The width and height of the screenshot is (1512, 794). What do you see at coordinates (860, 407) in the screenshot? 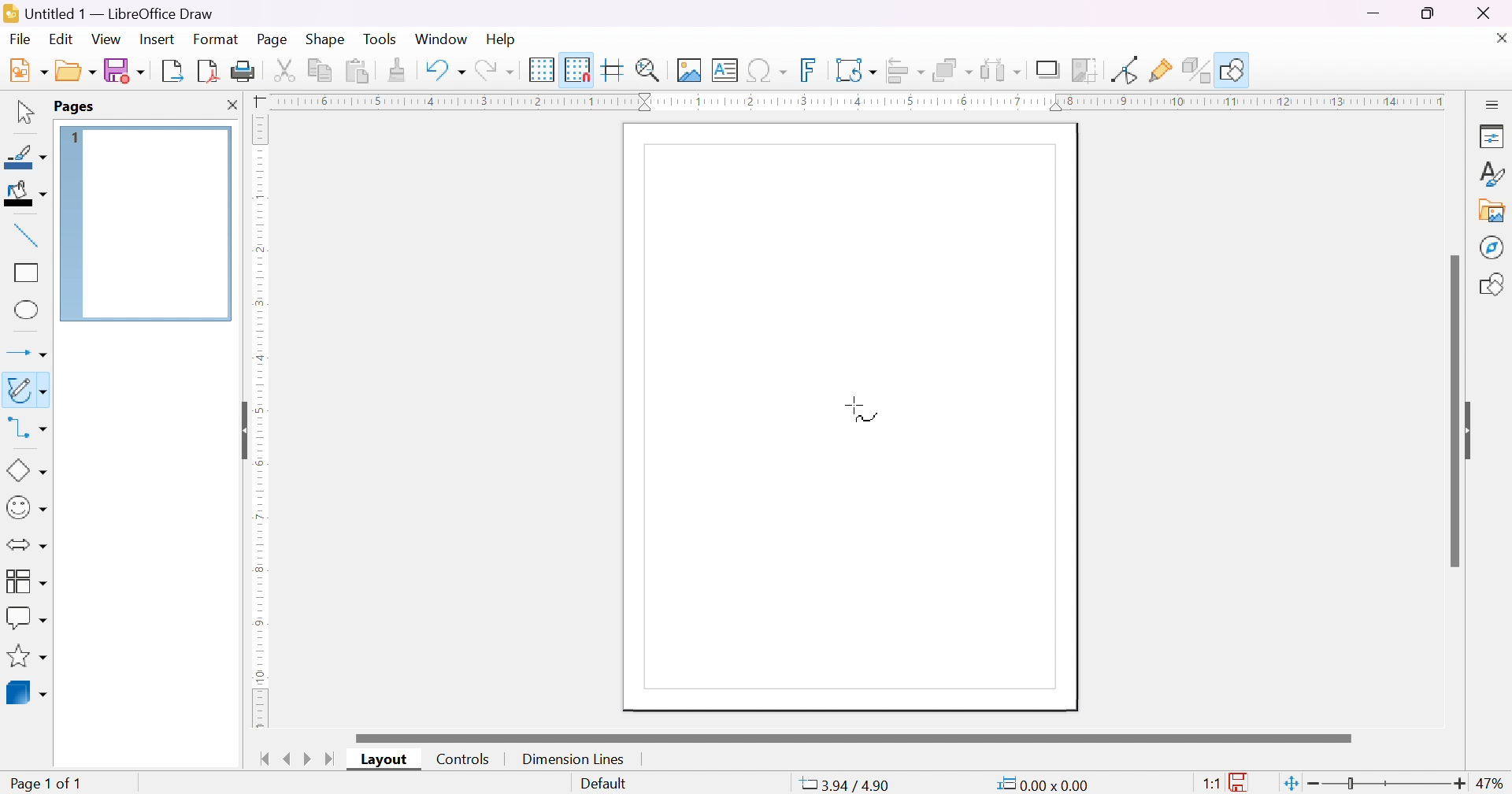
I see `cursor` at bounding box center [860, 407].